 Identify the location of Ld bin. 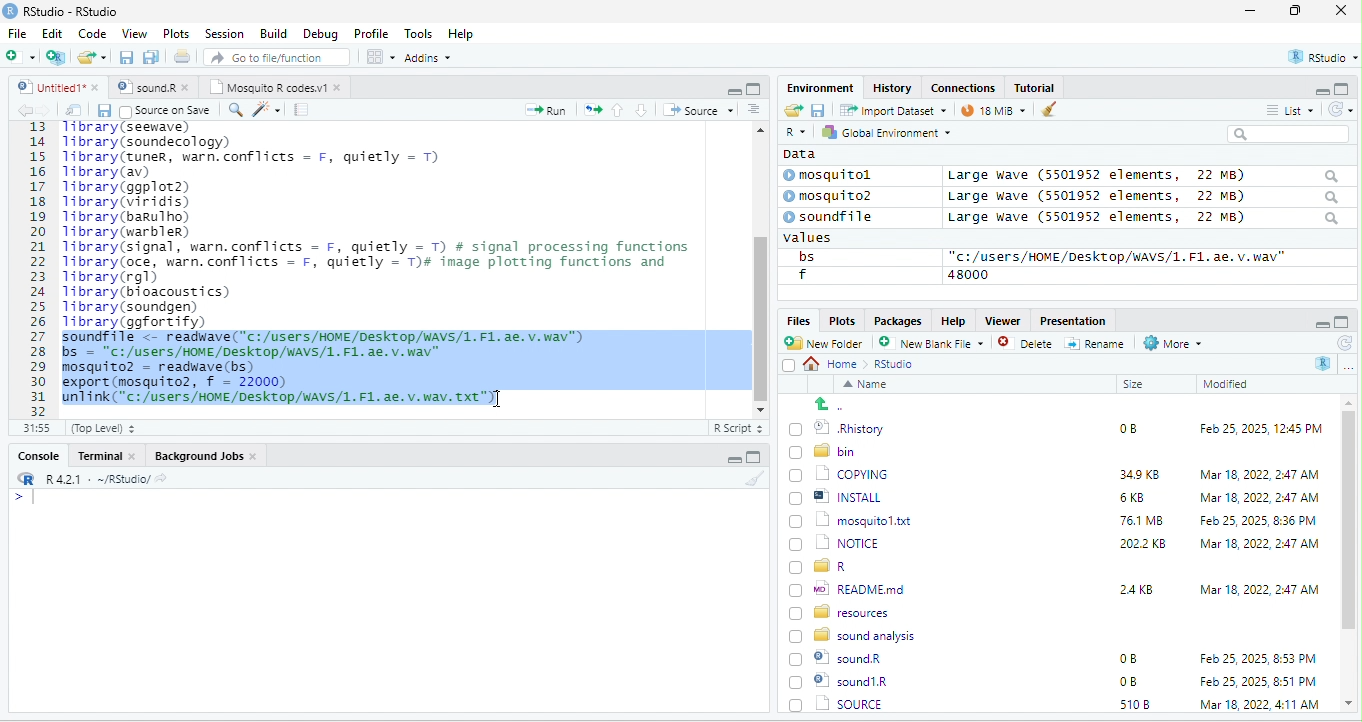
(825, 450).